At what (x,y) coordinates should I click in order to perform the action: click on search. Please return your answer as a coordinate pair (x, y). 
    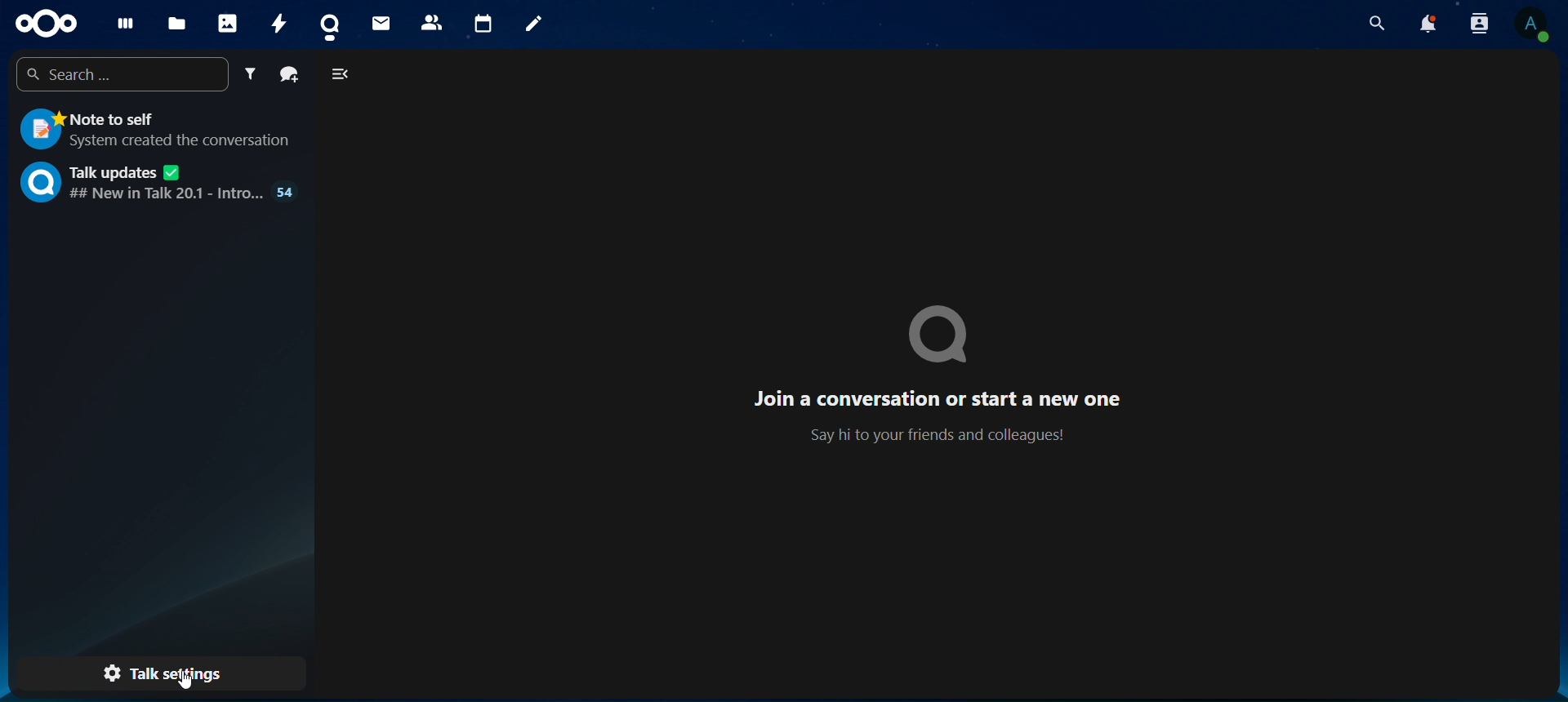
    Looking at the image, I should click on (118, 75).